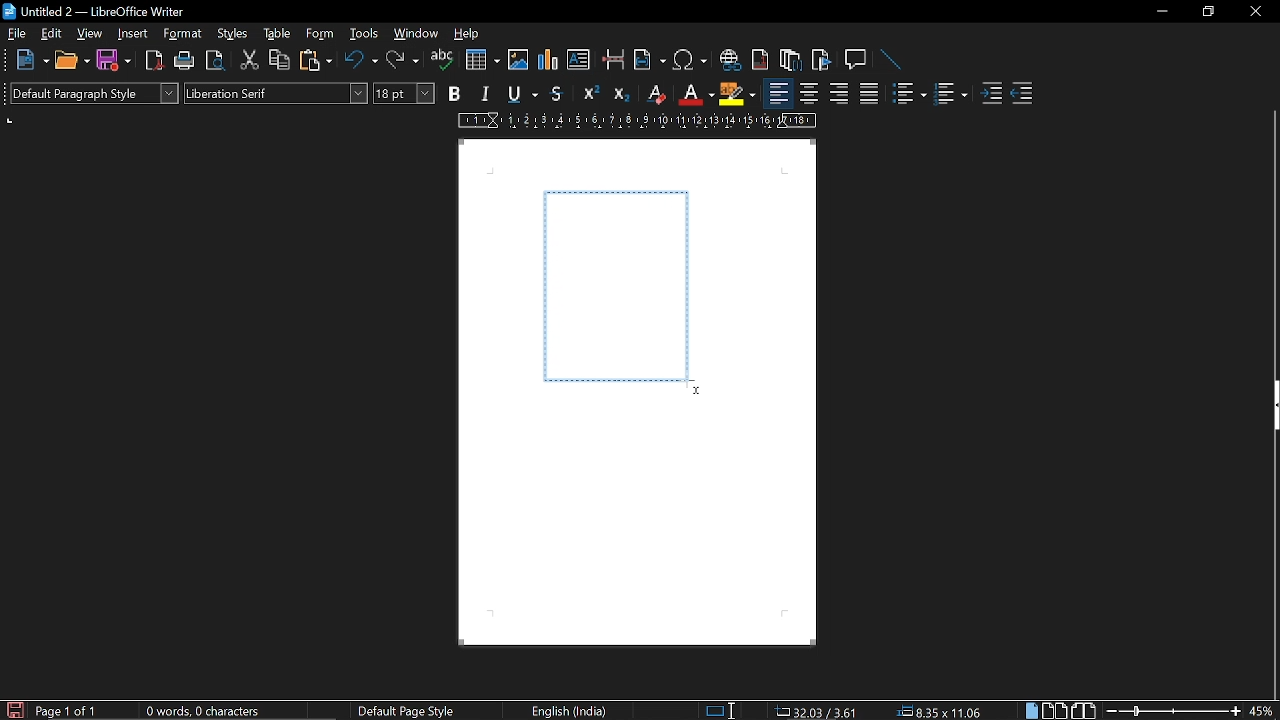 Image resolution: width=1280 pixels, height=720 pixels. I want to click on sidebar view, so click(1272, 408).